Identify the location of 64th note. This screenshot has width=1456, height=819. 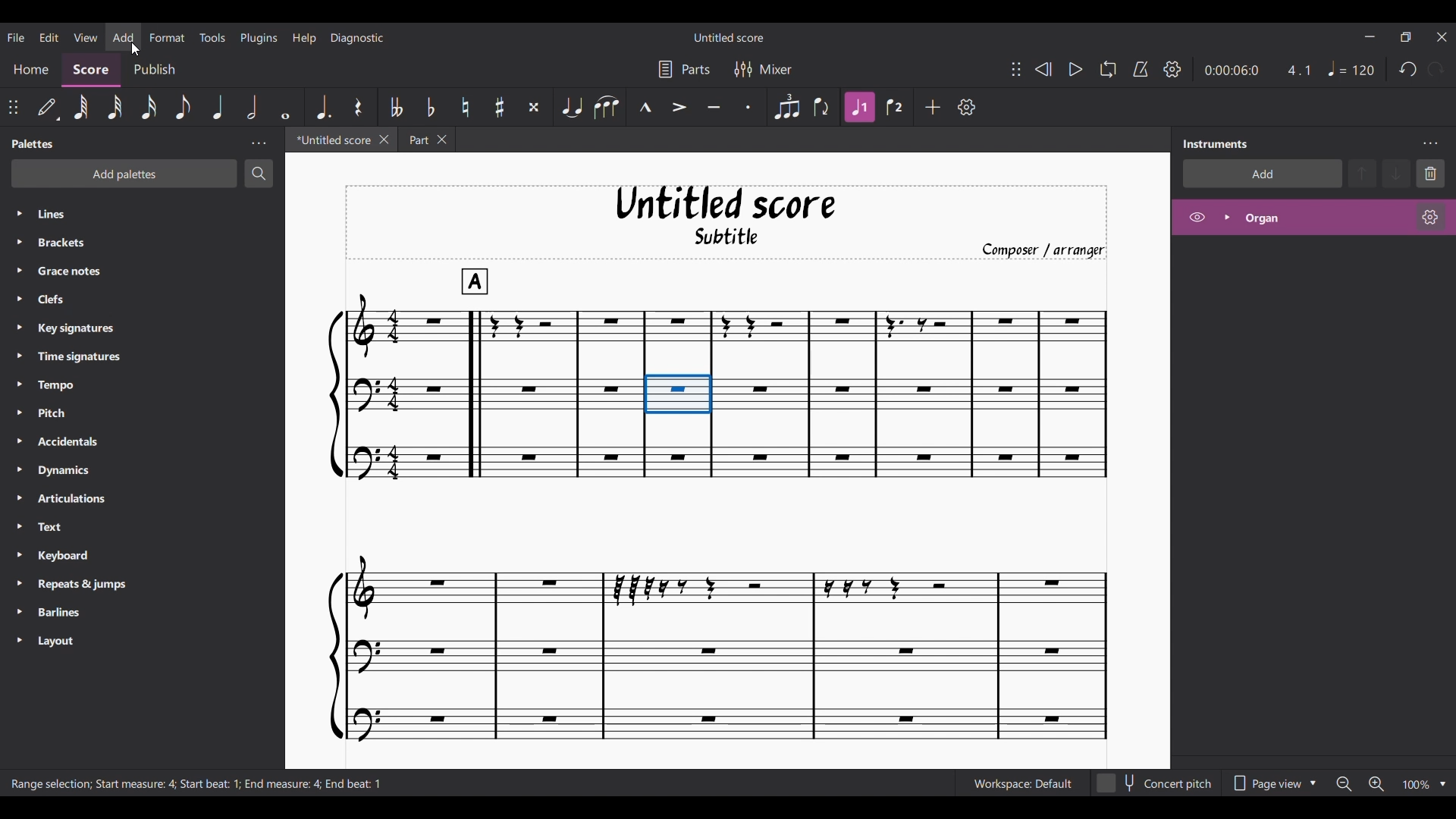
(81, 108).